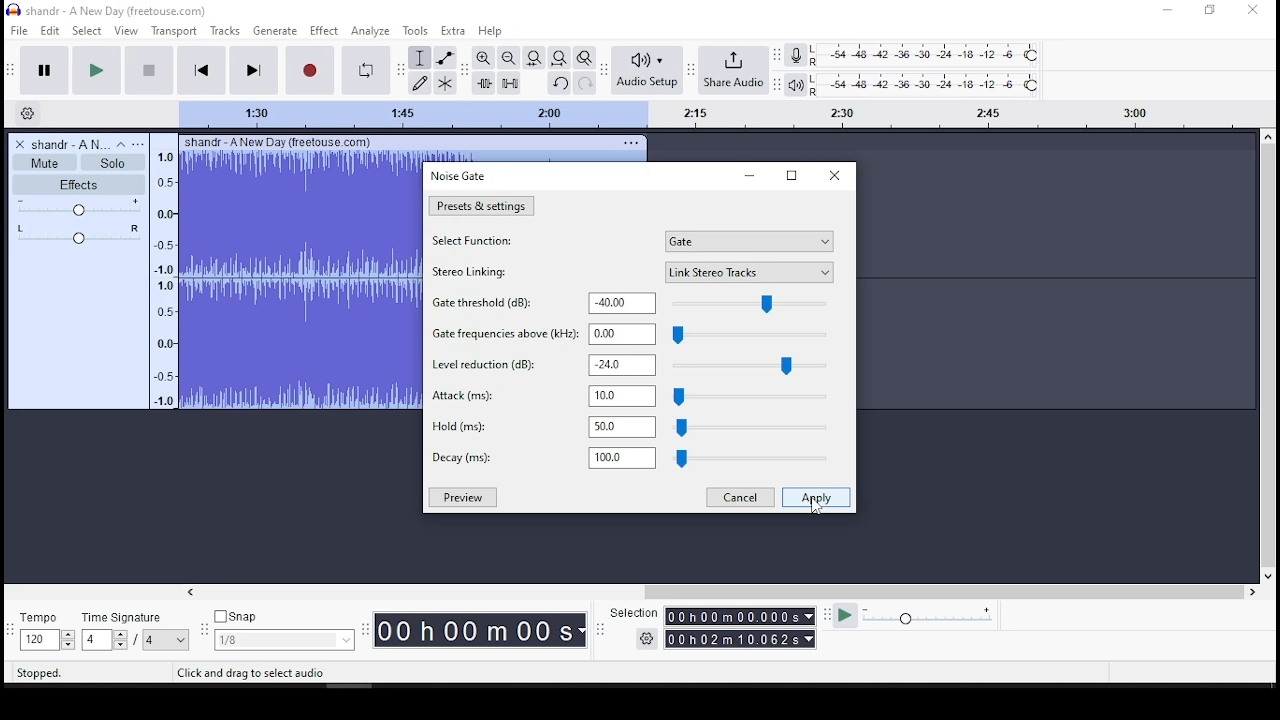 This screenshot has height=720, width=1280. What do you see at coordinates (558, 57) in the screenshot?
I see `fit project to width` at bounding box center [558, 57].